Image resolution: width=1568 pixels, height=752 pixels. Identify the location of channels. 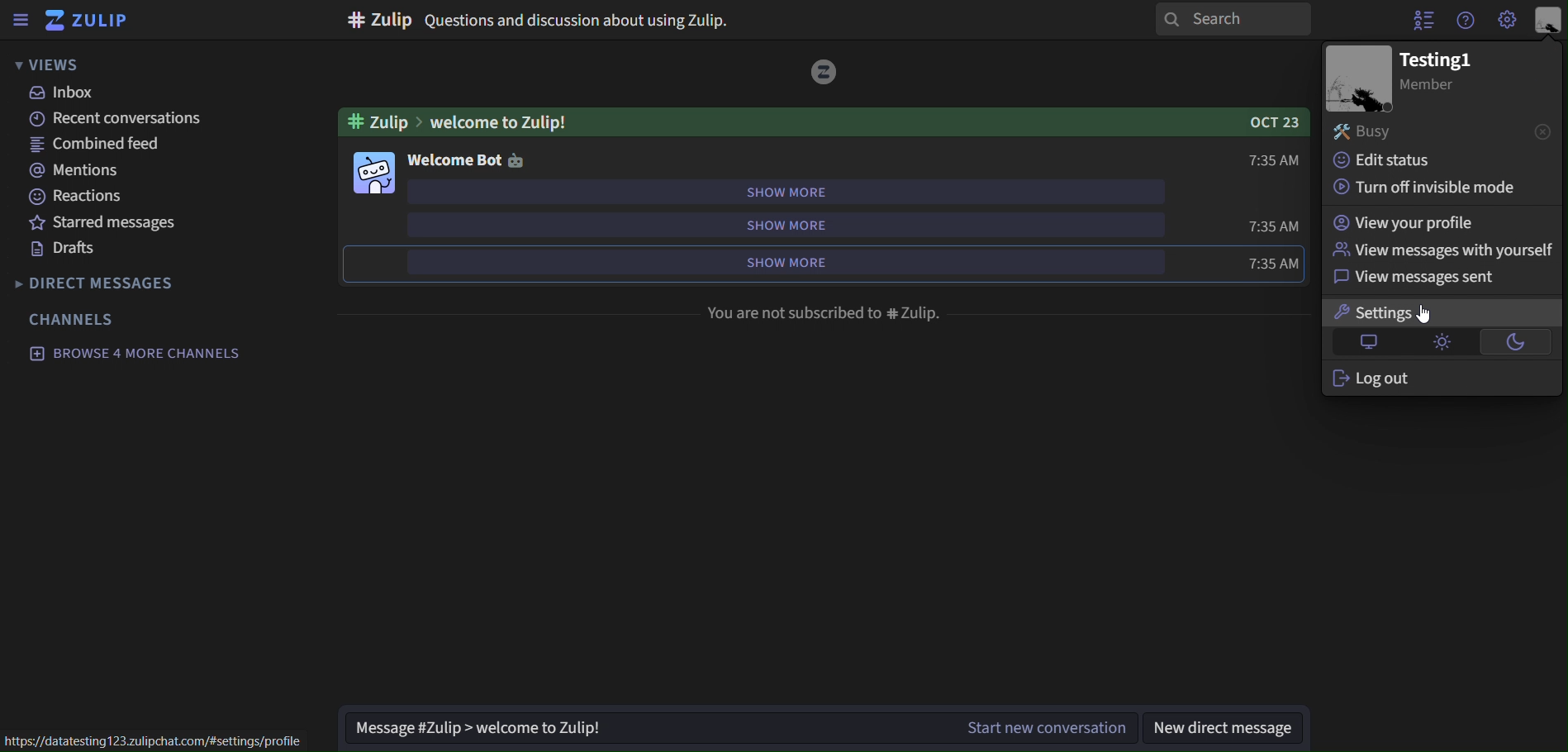
(75, 319).